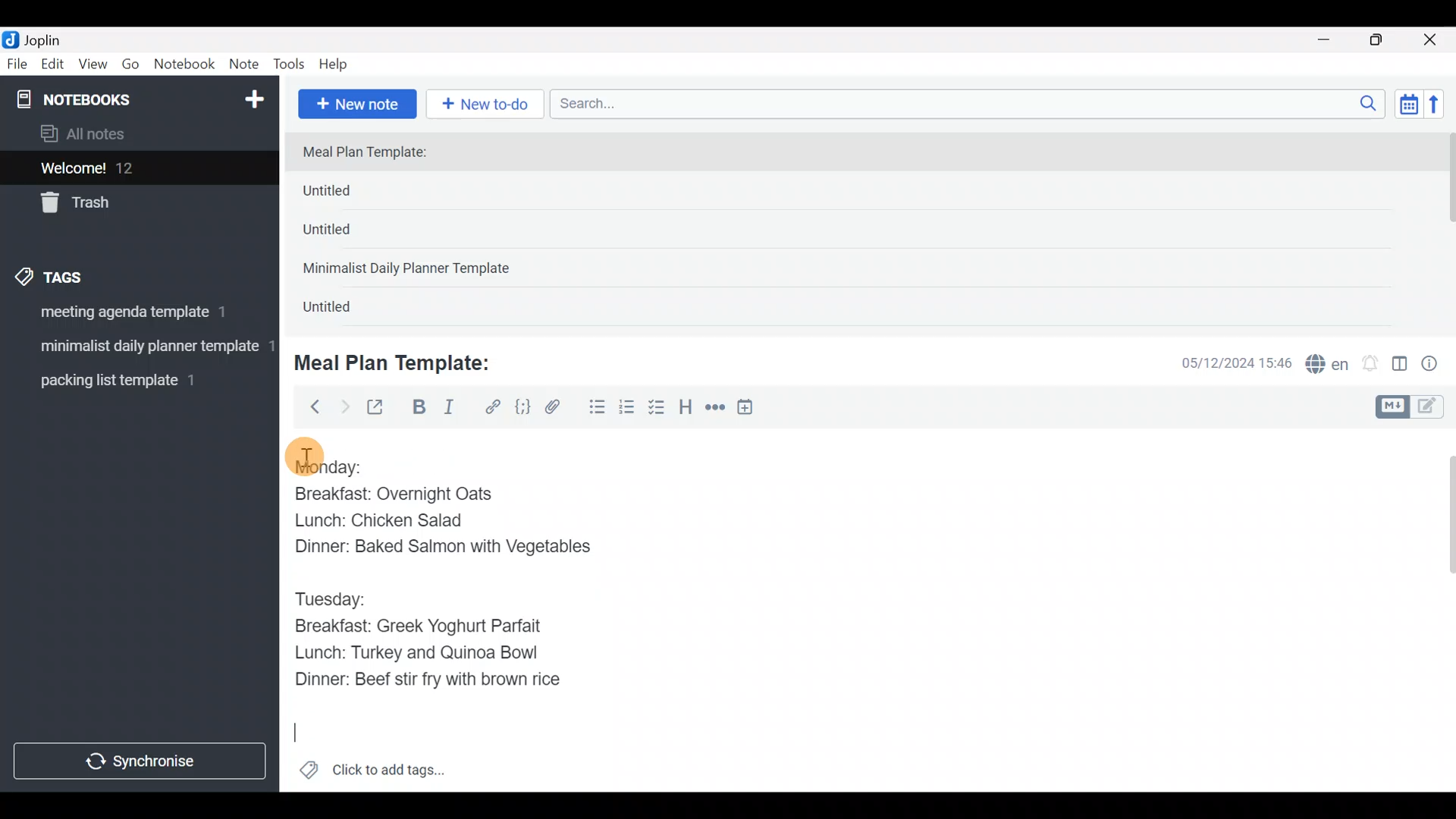 The height and width of the screenshot is (819, 1456). Describe the element at coordinates (52, 38) in the screenshot. I see `Joplin` at that location.